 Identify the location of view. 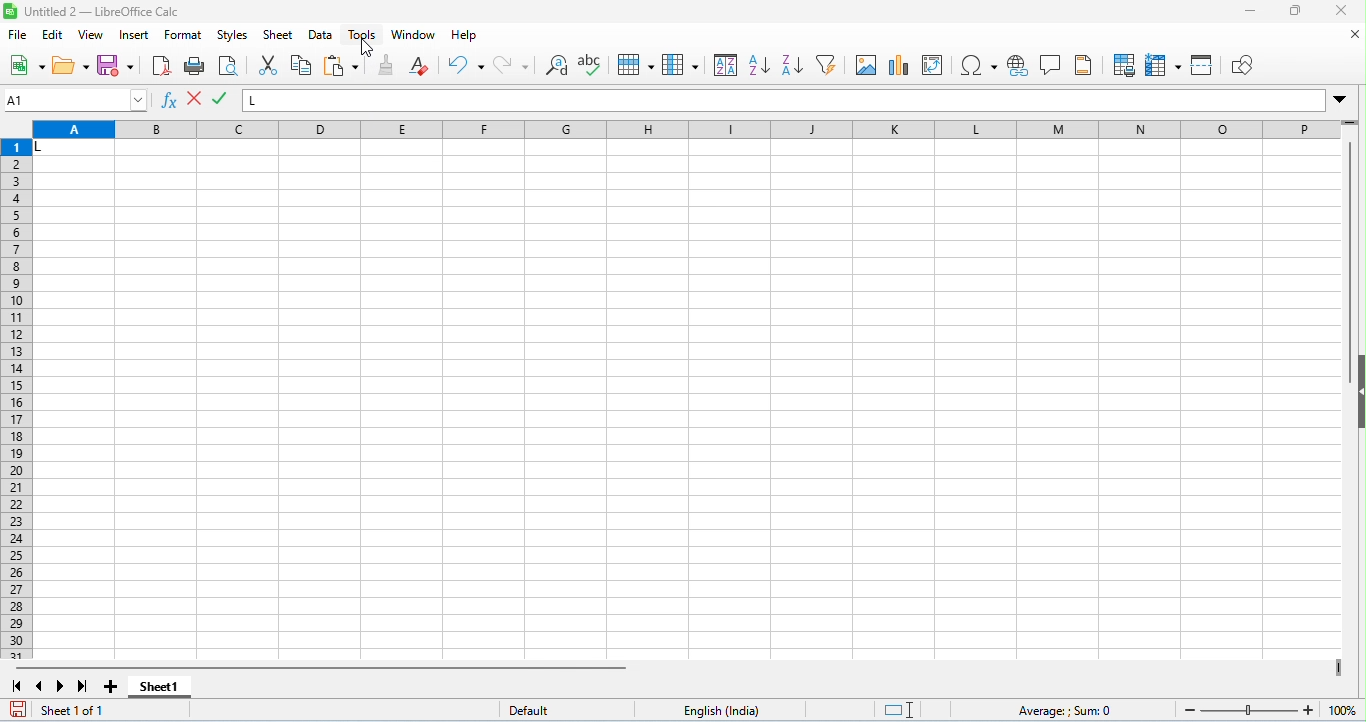
(92, 35).